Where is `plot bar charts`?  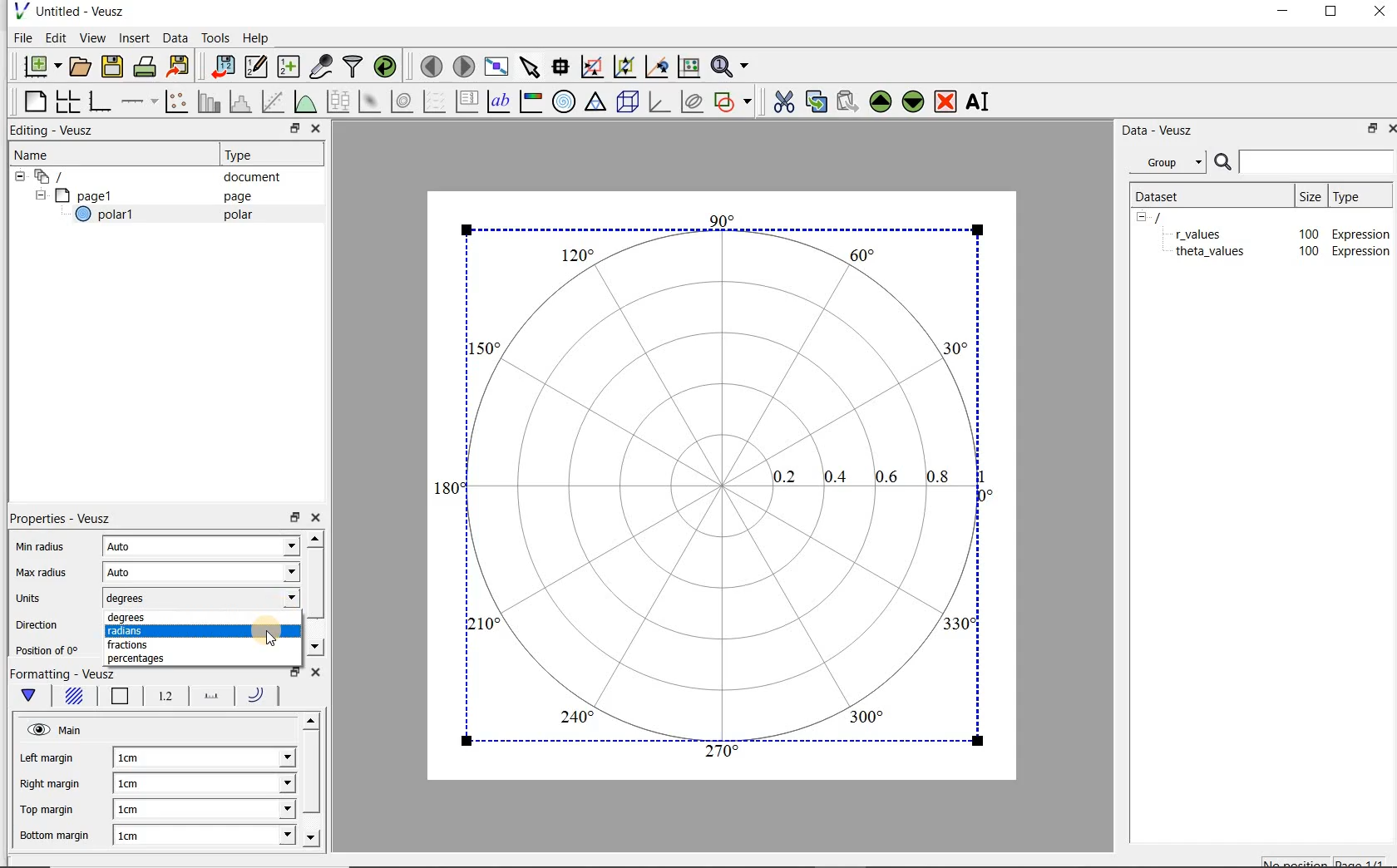
plot bar charts is located at coordinates (210, 101).